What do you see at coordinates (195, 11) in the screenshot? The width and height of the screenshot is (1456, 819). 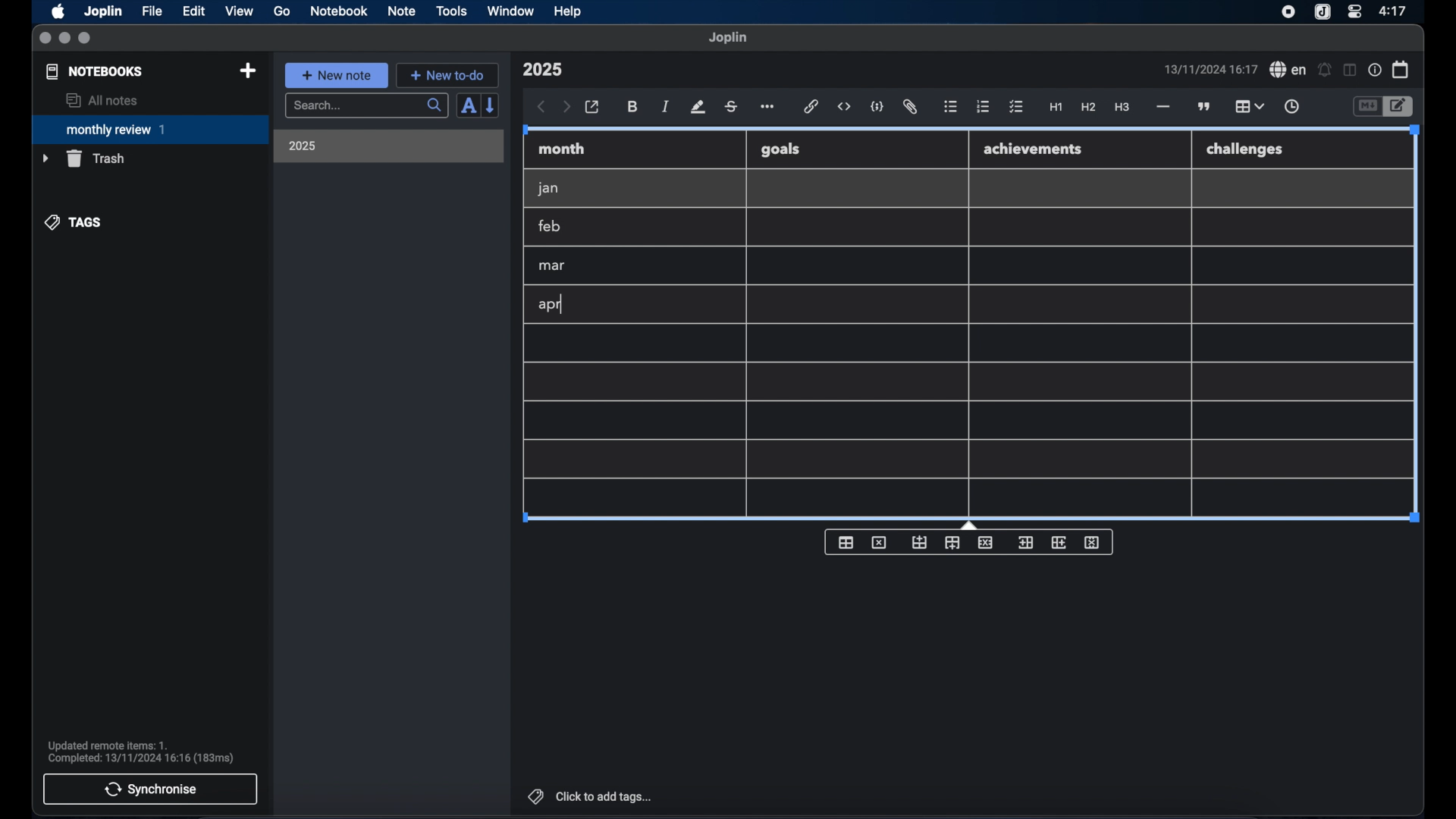 I see `edit` at bounding box center [195, 11].